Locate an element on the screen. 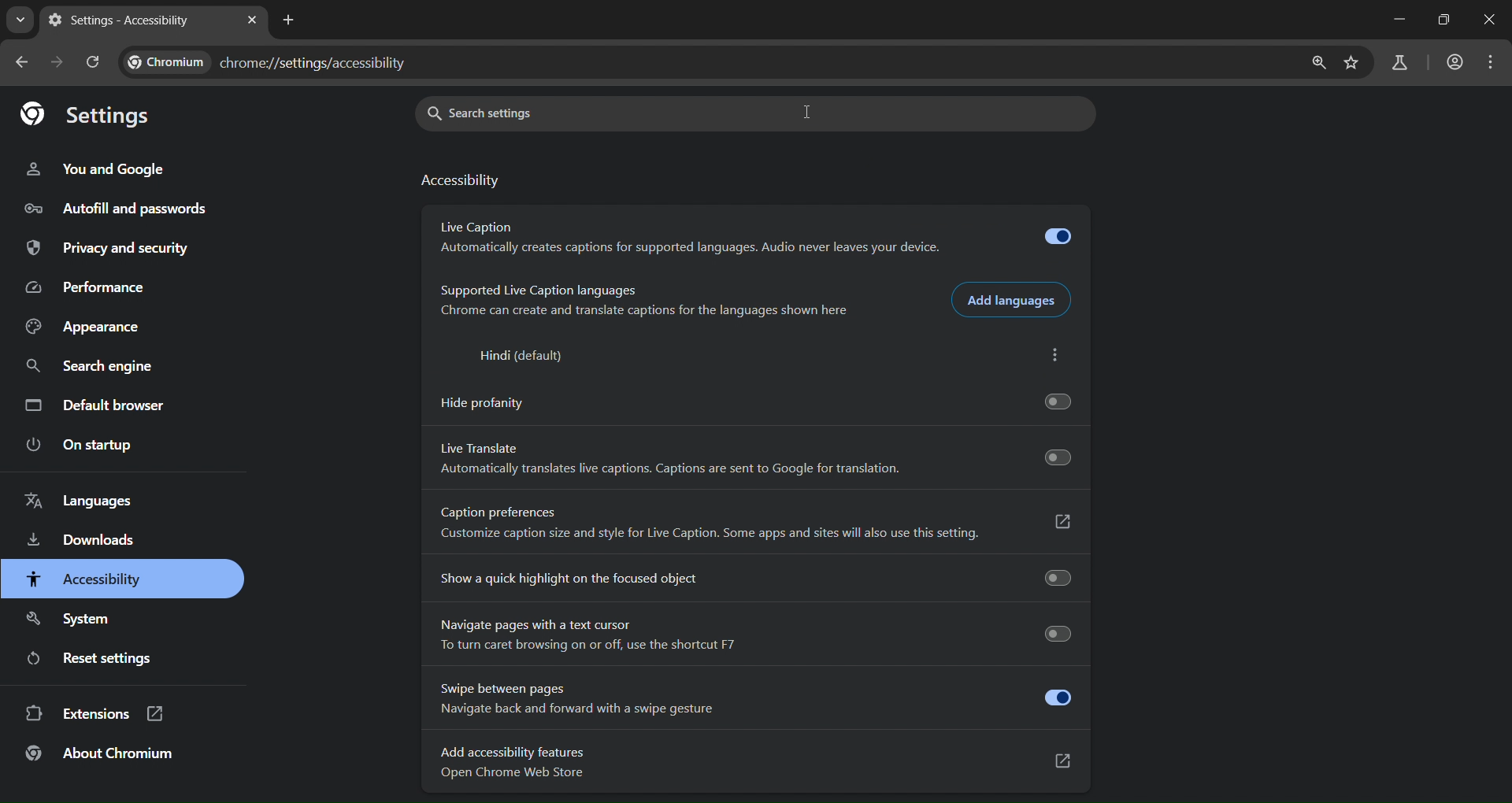 The image size is (1512, 803). accessibility is located at coordinates (87, 579).